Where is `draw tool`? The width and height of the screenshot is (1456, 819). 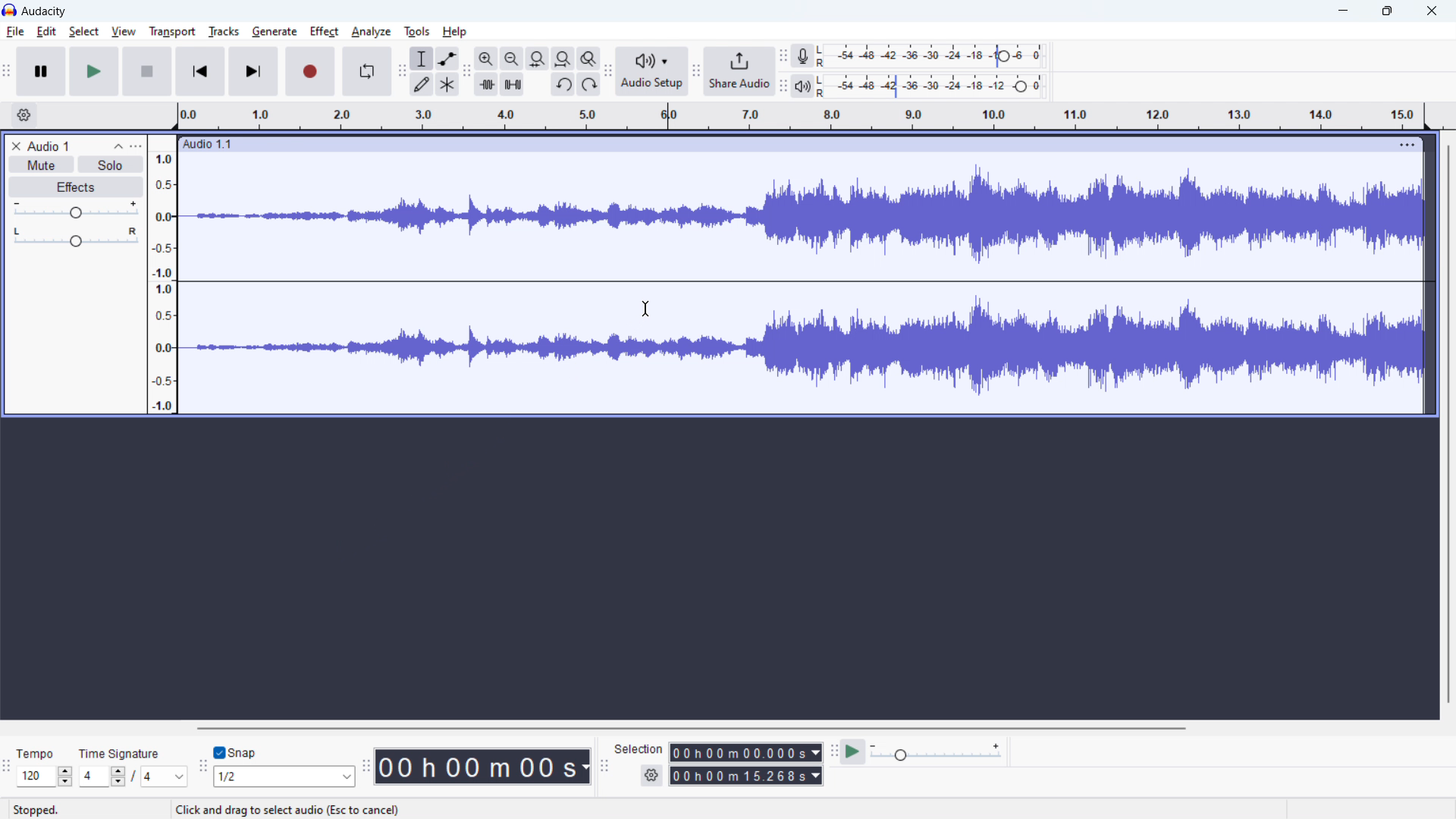
draw tool is located at coordinates (422, 85).